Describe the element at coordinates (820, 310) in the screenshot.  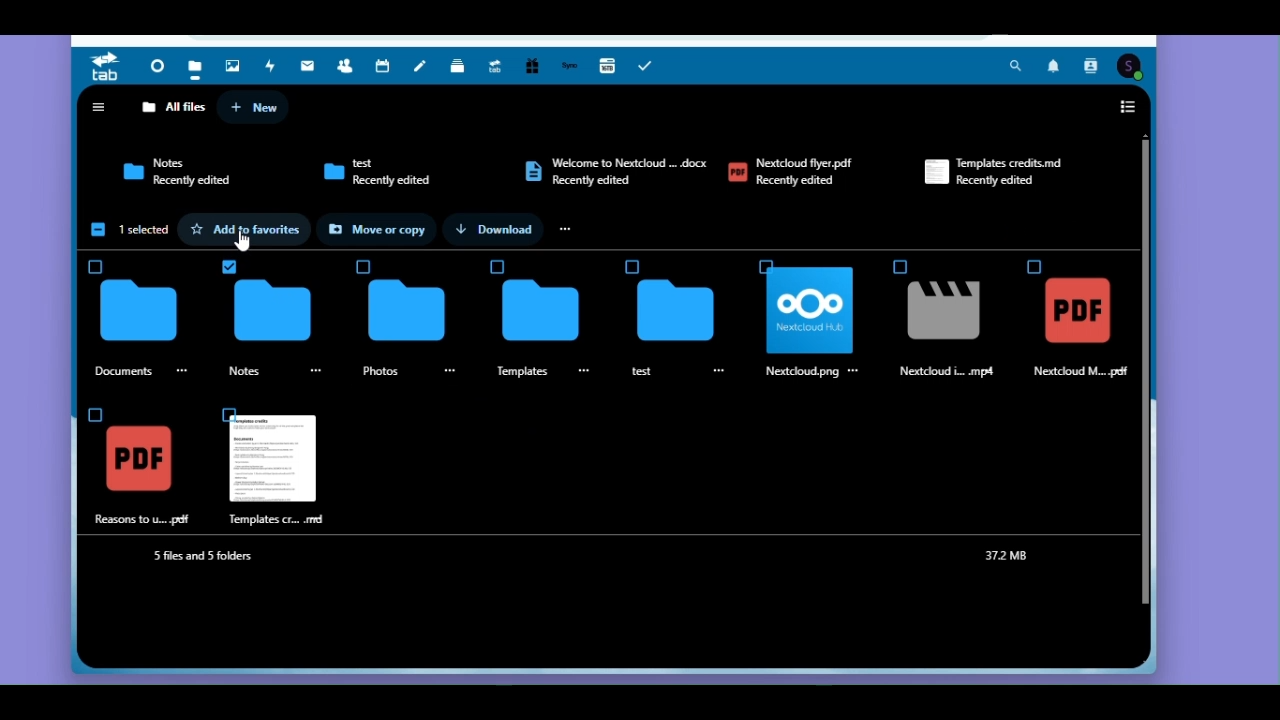
I see `Icon` at that location.